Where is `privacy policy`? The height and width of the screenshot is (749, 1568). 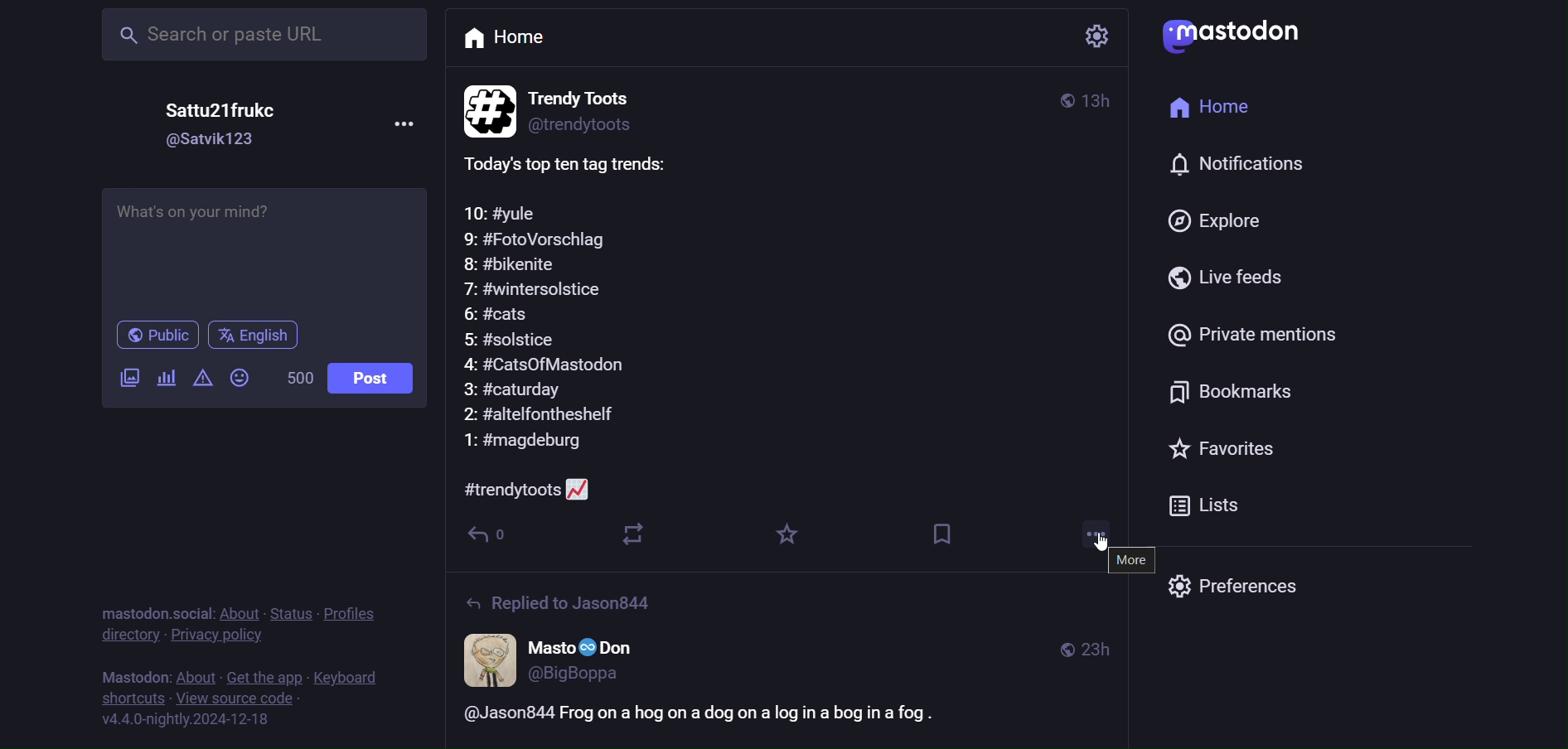
privacy policy is located at coordinates (225, 636).